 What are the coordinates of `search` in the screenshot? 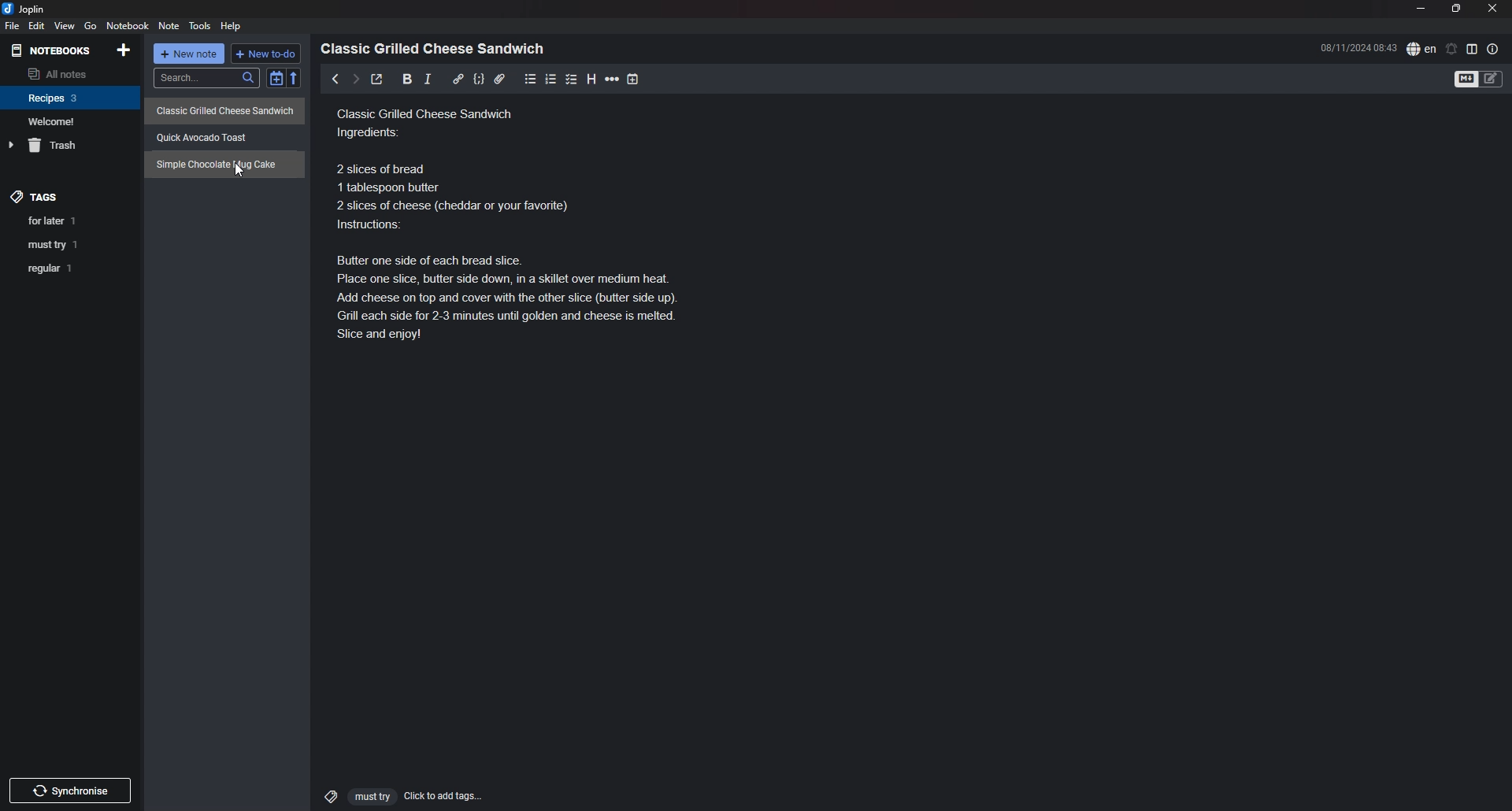 It's located at (206, 78).